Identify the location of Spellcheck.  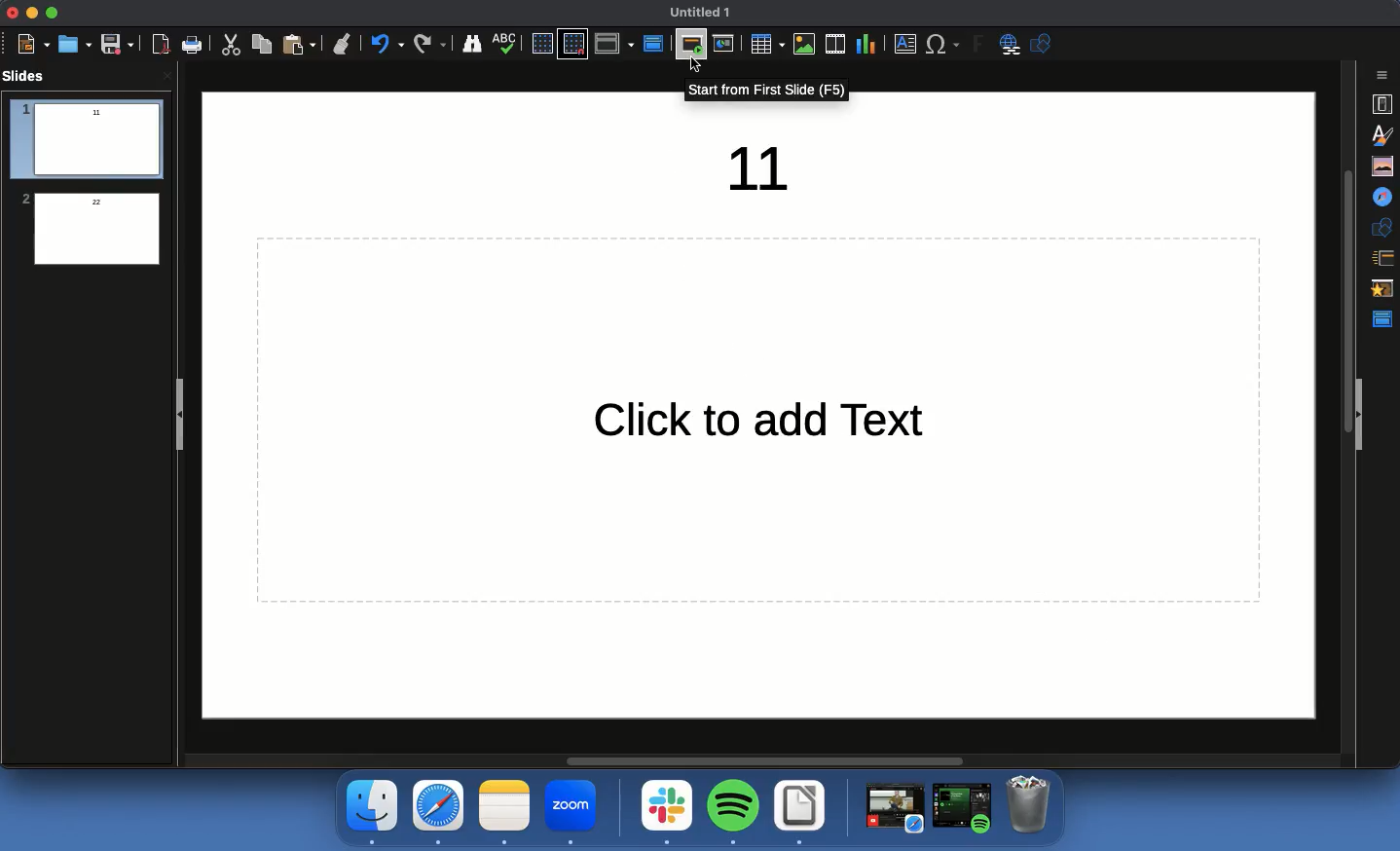
(503, 44).